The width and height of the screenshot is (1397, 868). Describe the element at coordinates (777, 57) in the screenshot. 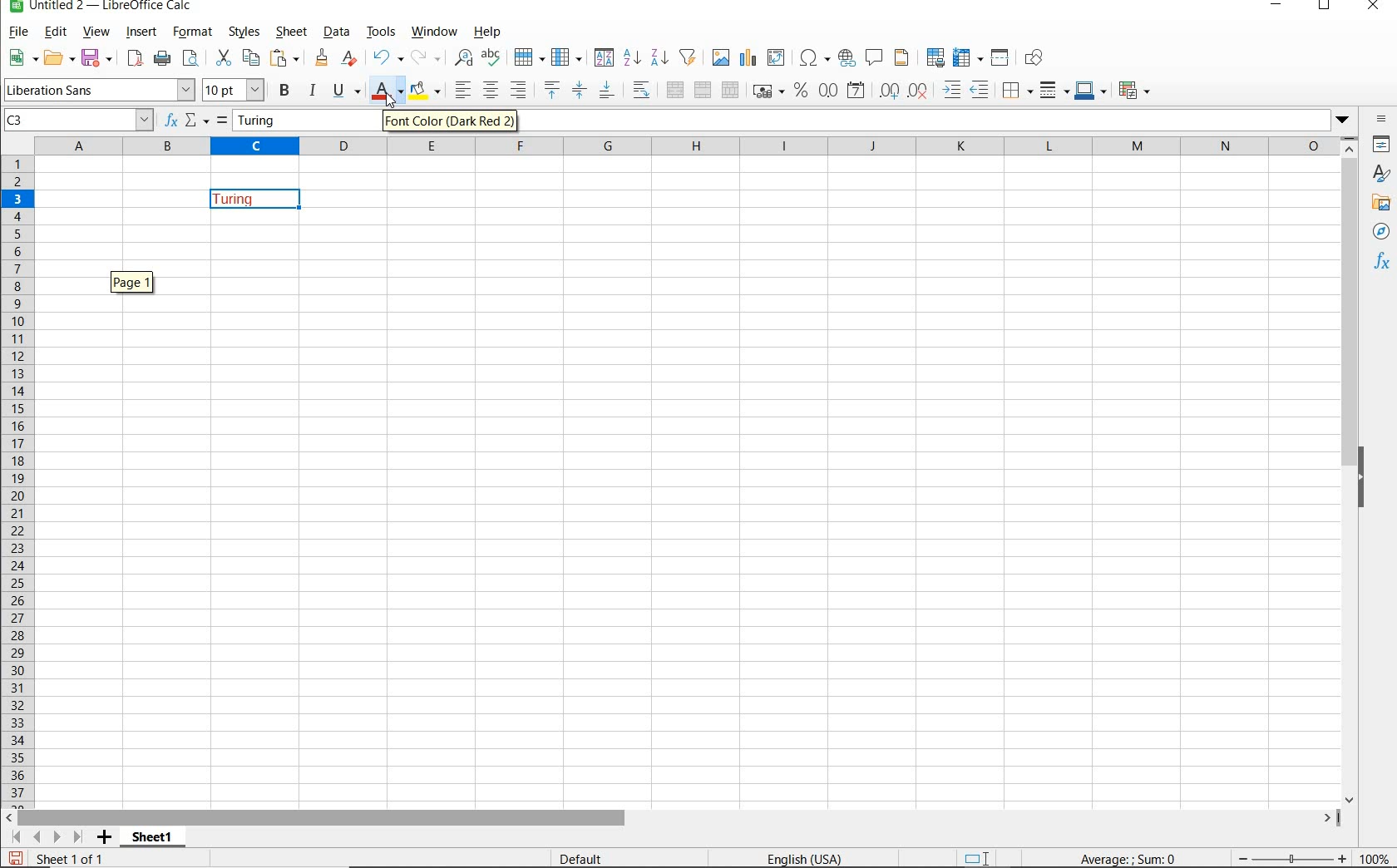

I see `INSERT OR EDIT PIVOT TABLE` at that location.